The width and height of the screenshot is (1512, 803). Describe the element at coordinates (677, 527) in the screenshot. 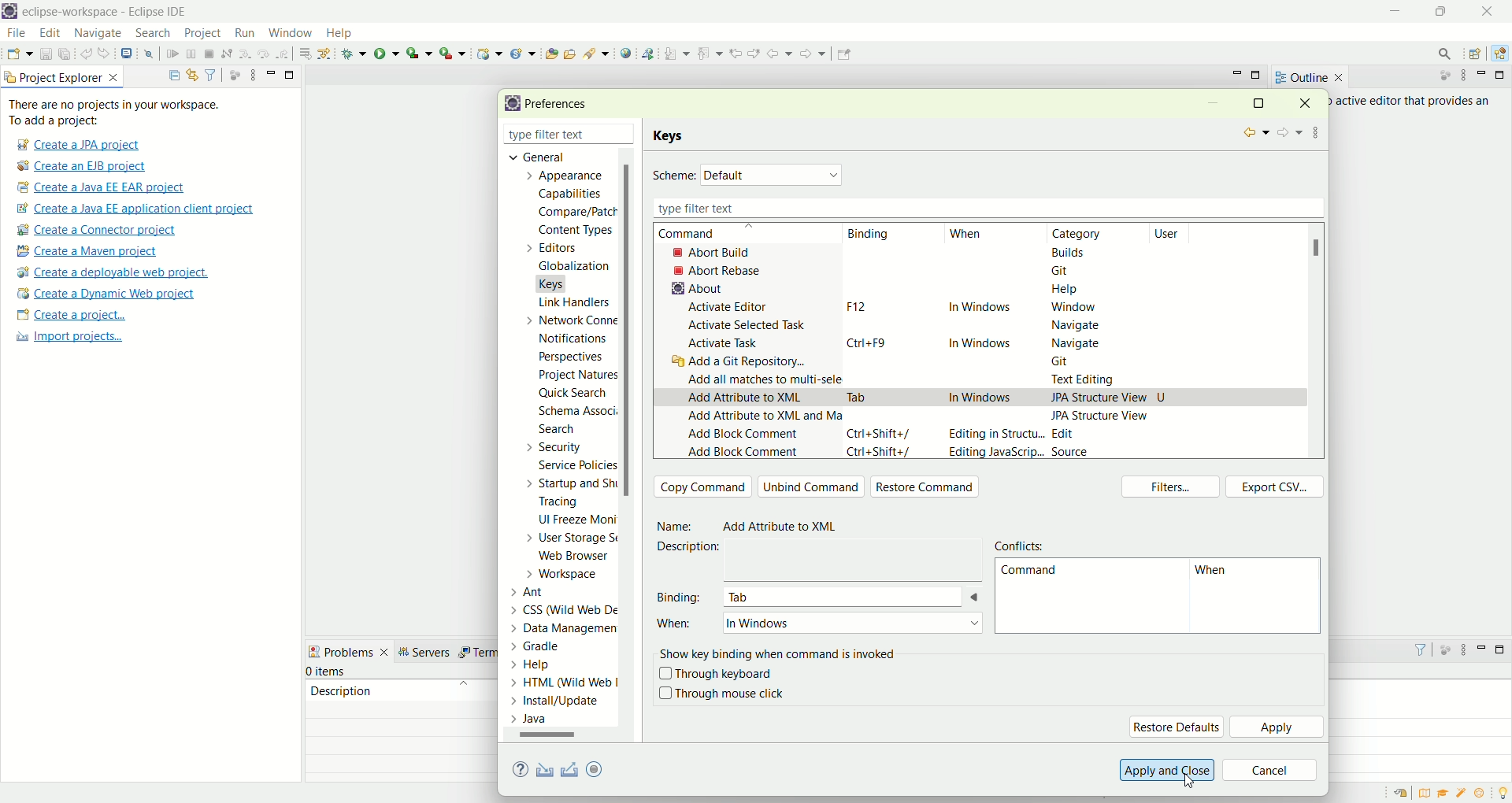

I see `ame` at that location.